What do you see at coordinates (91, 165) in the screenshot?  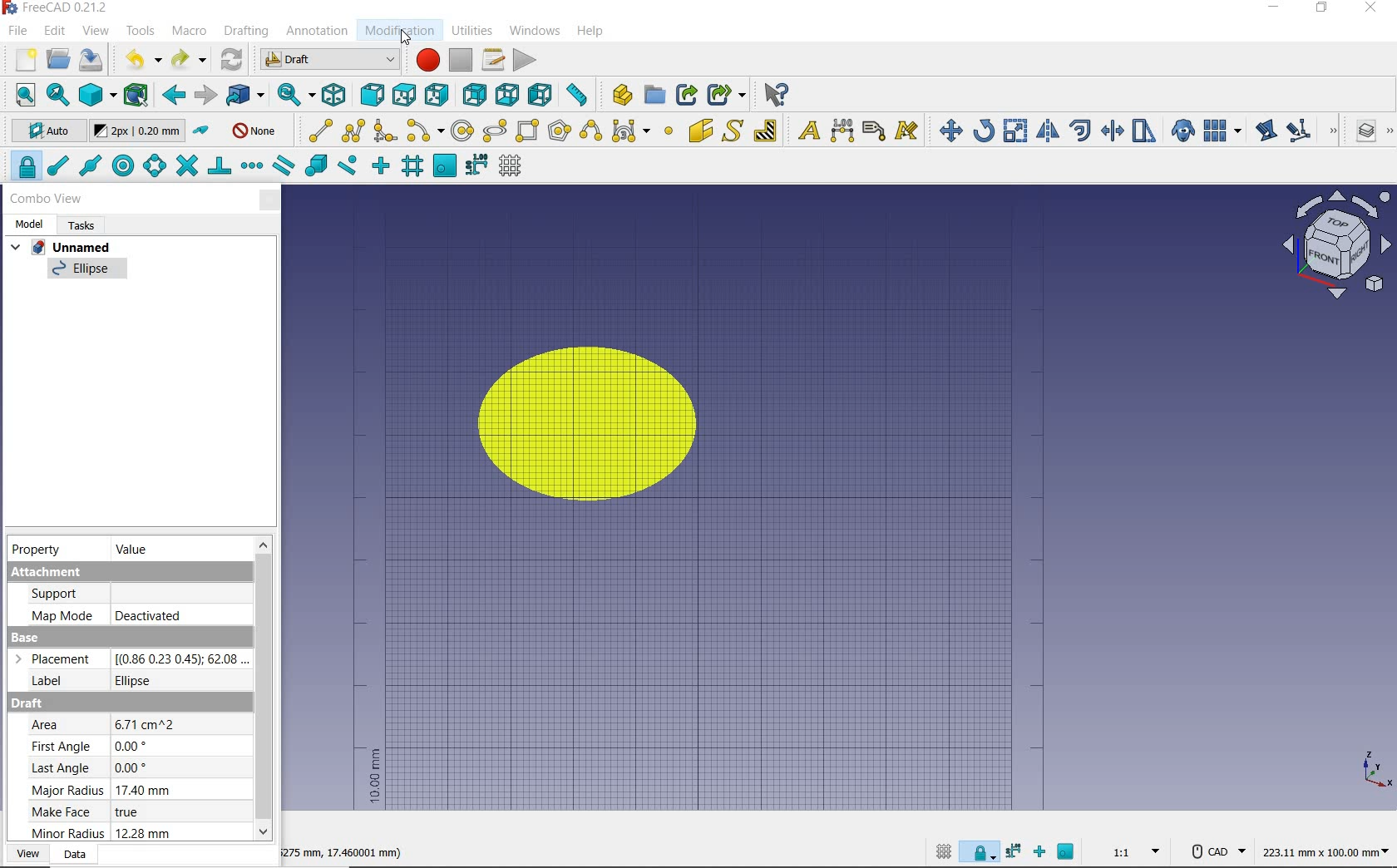 I see `snap midpoint` at bounding box center [91, 165].